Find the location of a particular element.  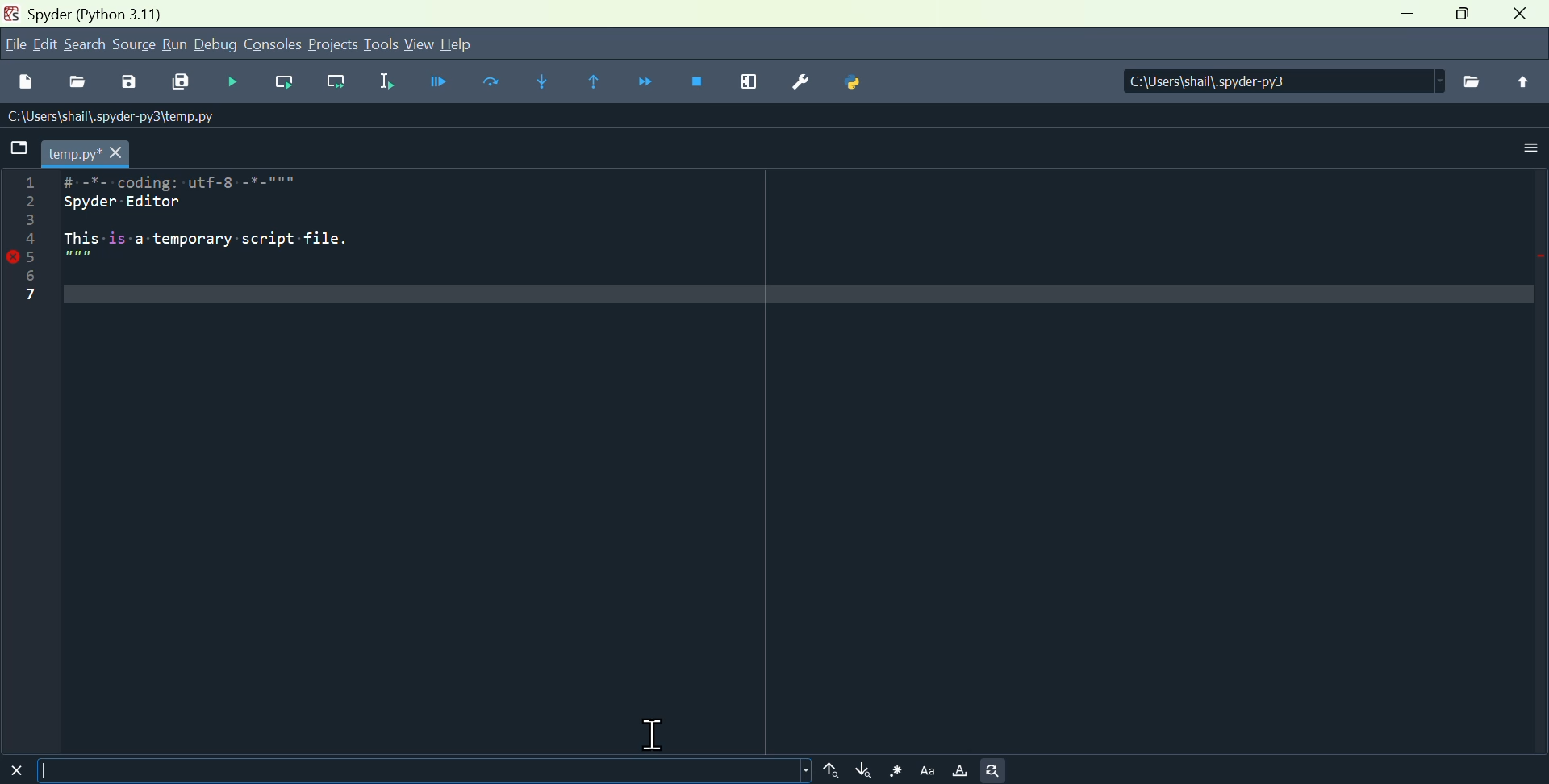

Debug is located at coordinates (240, 84).